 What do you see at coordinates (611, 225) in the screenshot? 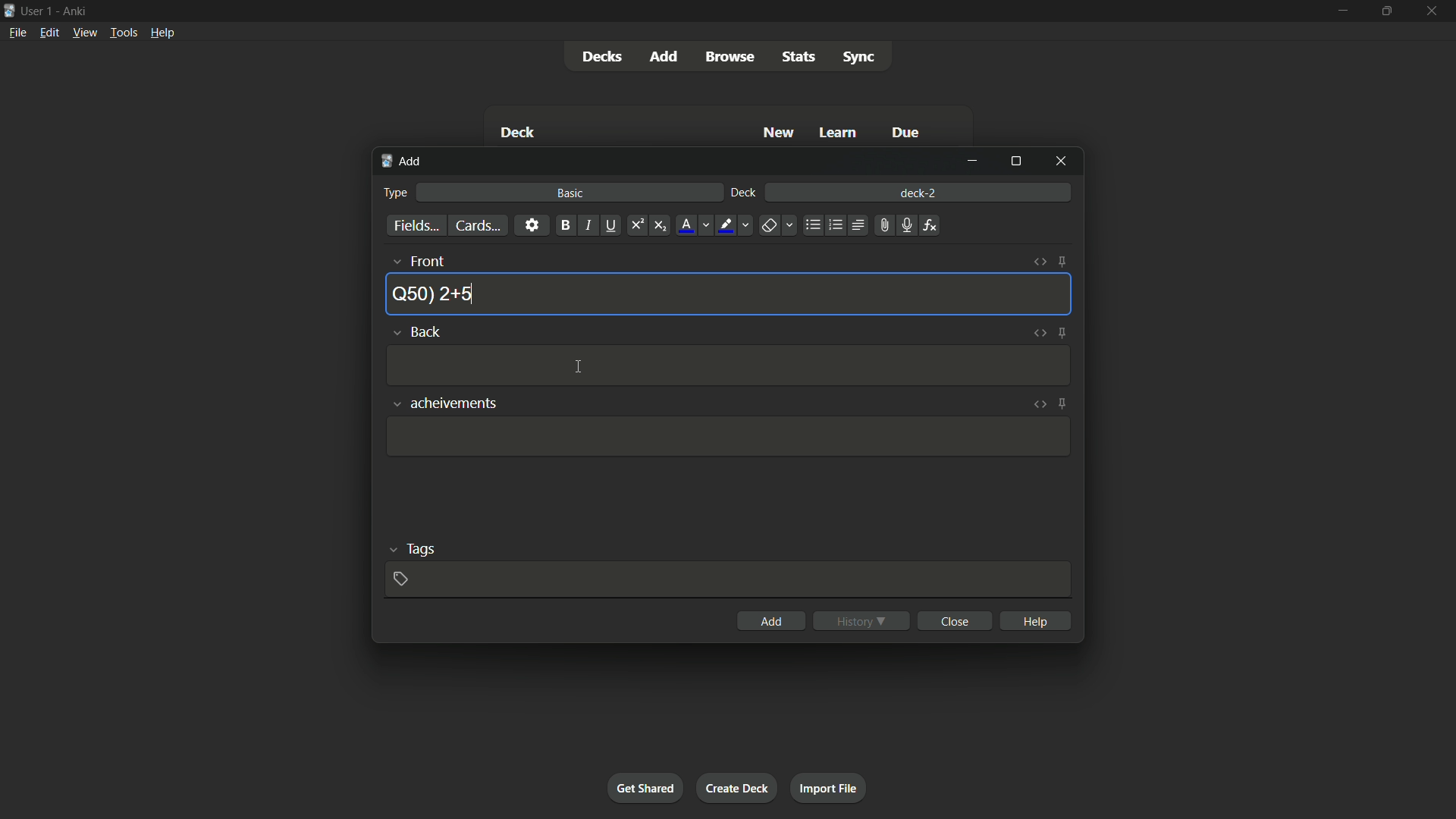
I see `underline` at bounding box center [611, 225].